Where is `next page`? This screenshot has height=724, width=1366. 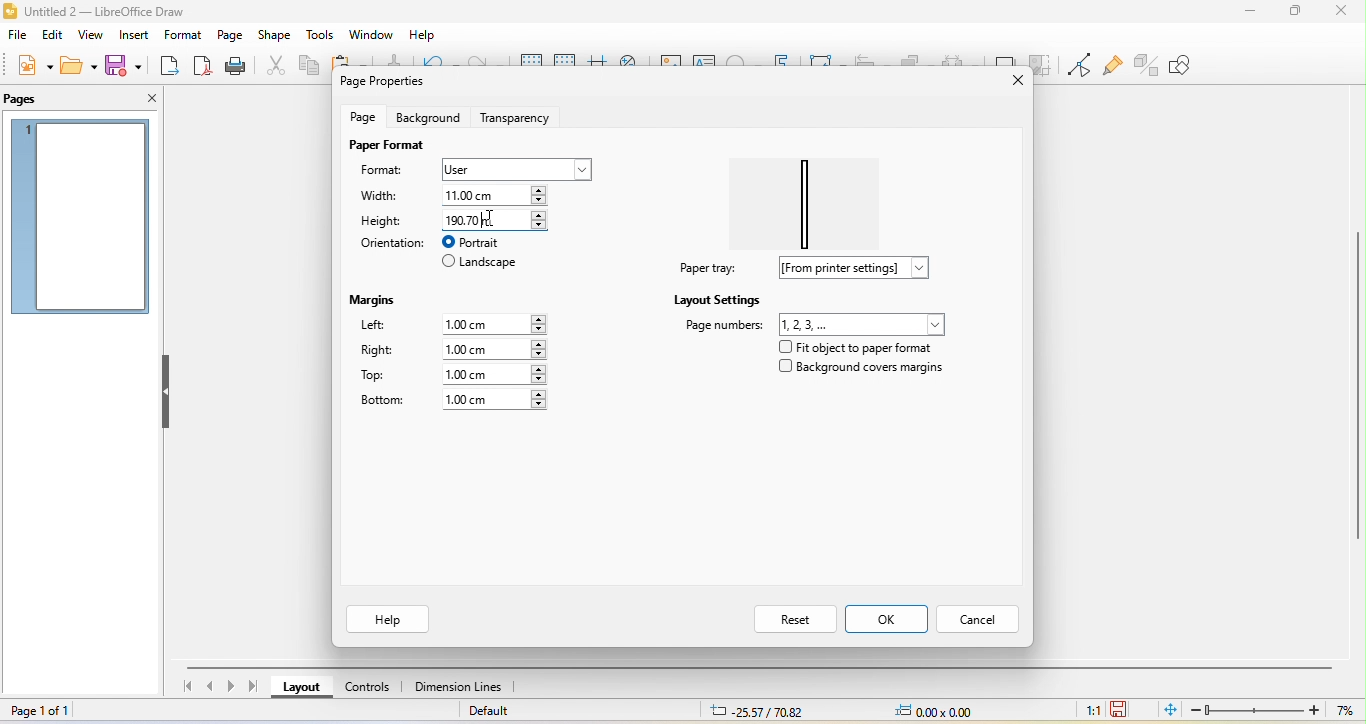
next page is located at coordinates (234, 687).